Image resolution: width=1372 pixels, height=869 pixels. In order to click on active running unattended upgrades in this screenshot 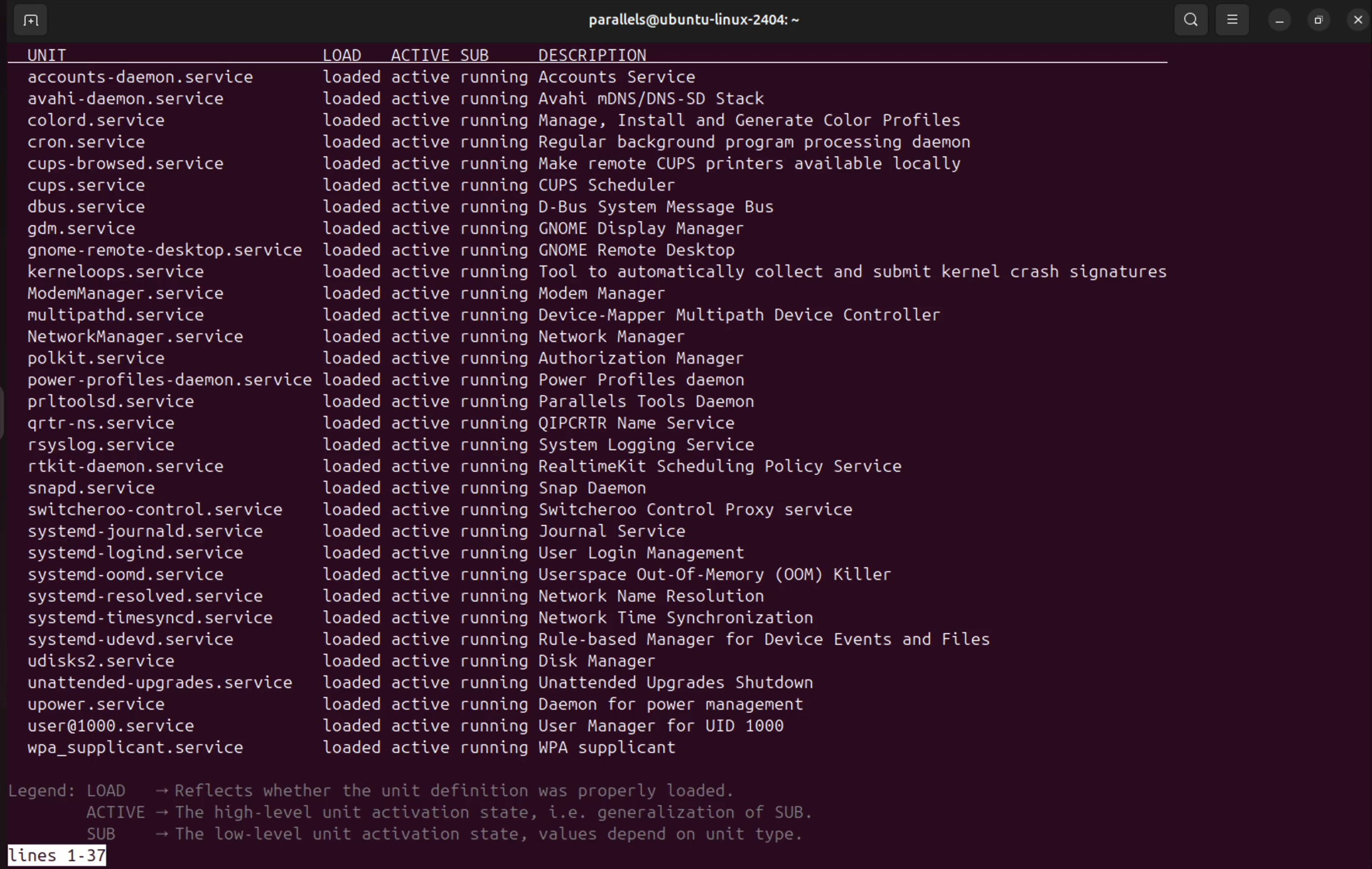, I will do `click(626, 683)`.